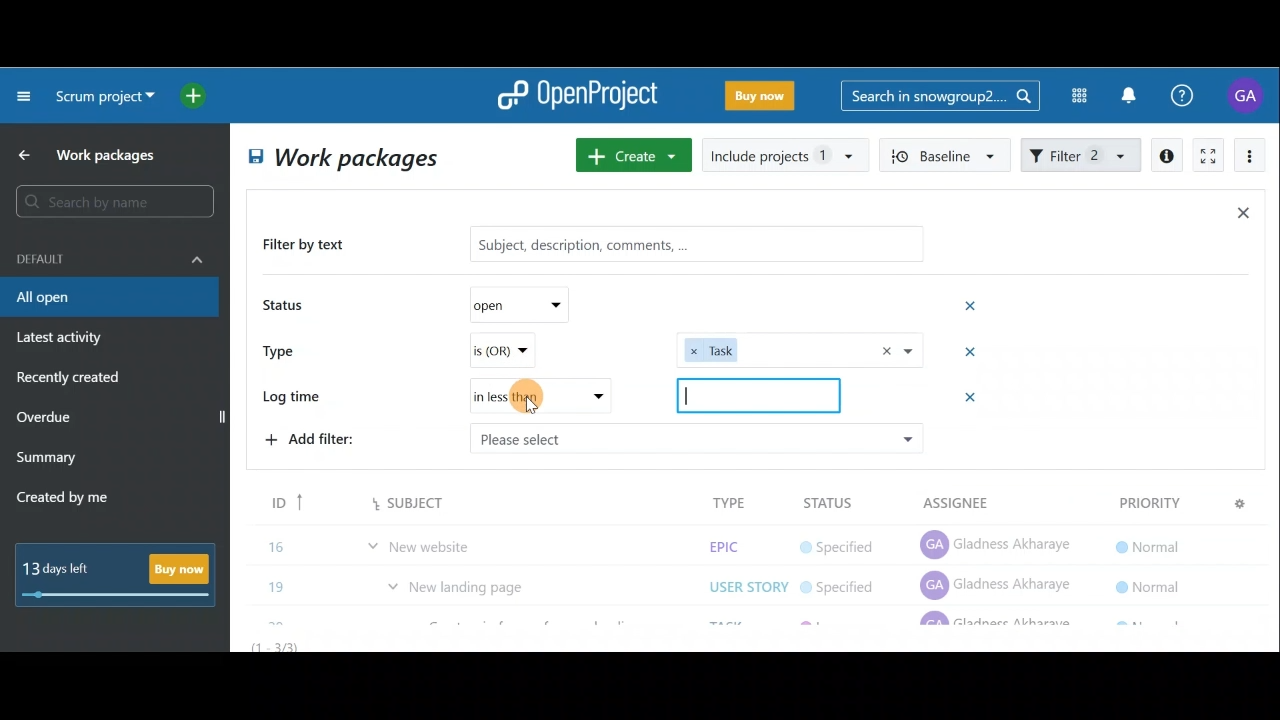  Describe the element at coordinates (1145, 501) in the screenshot. I see `normal` at that location.